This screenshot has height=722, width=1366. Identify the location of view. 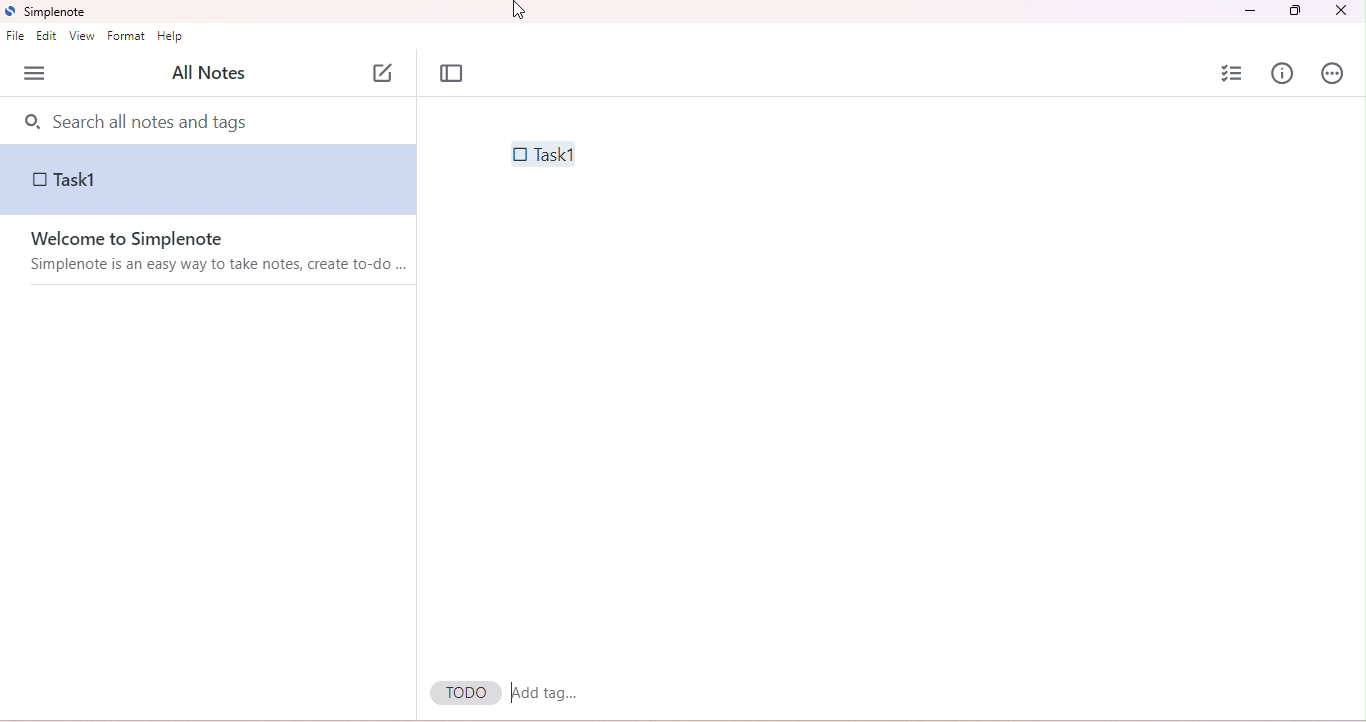
(81, 37).